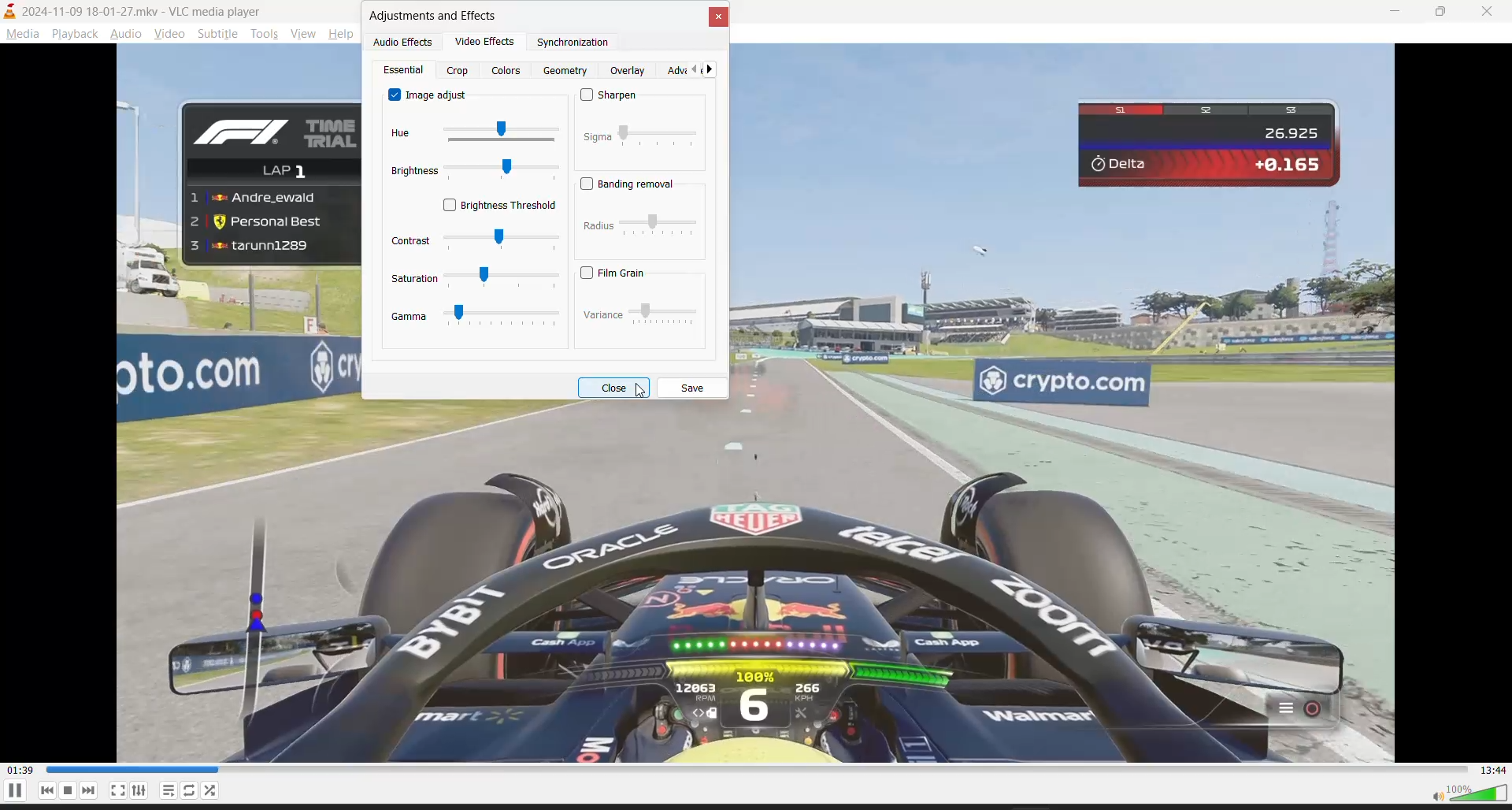  Describe the element at coordinates (472, 279) in the screenshot. I see `saturation` at that location.